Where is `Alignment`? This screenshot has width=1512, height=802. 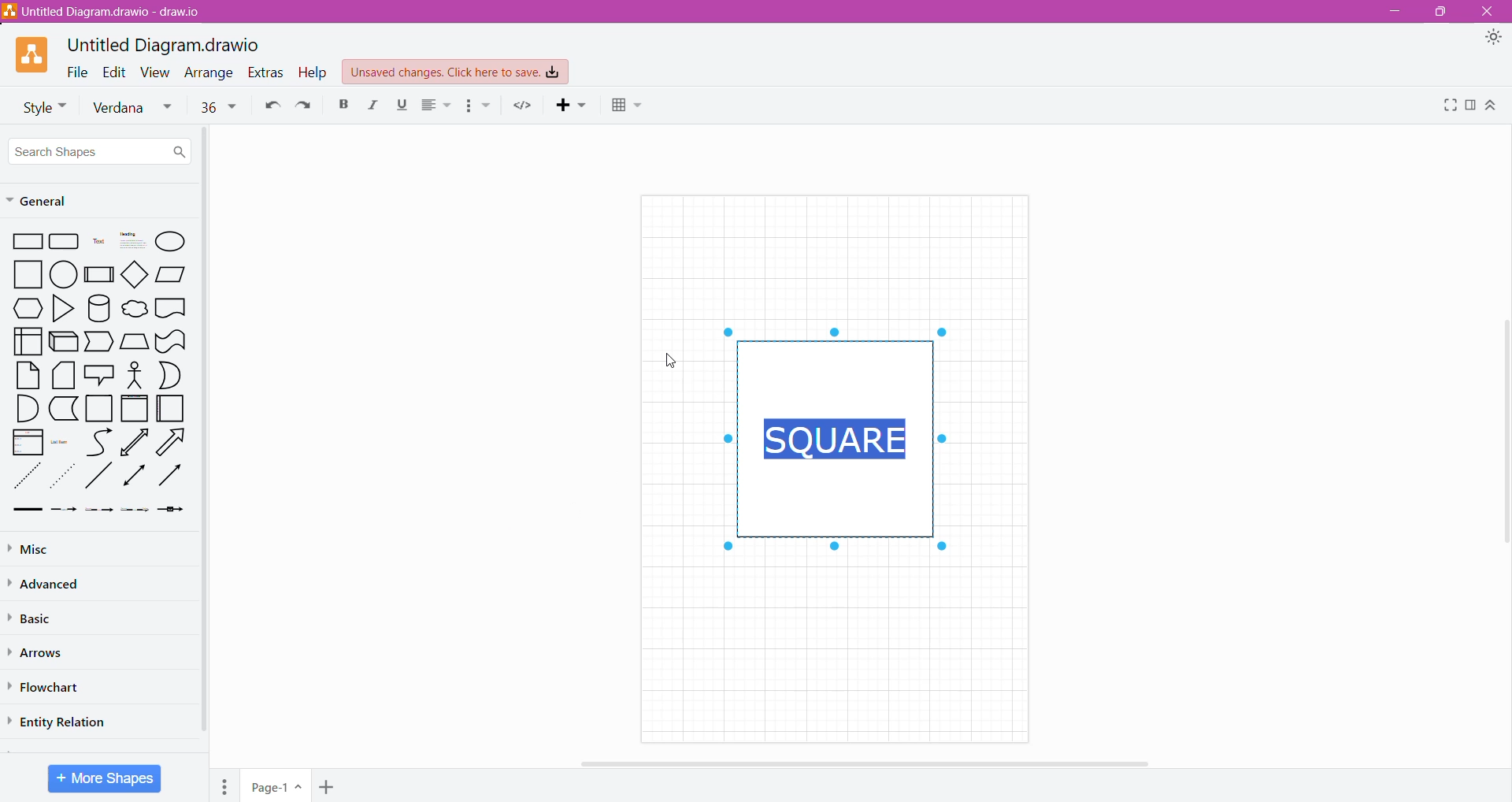 Alignment is located at coordinates (436, 107).